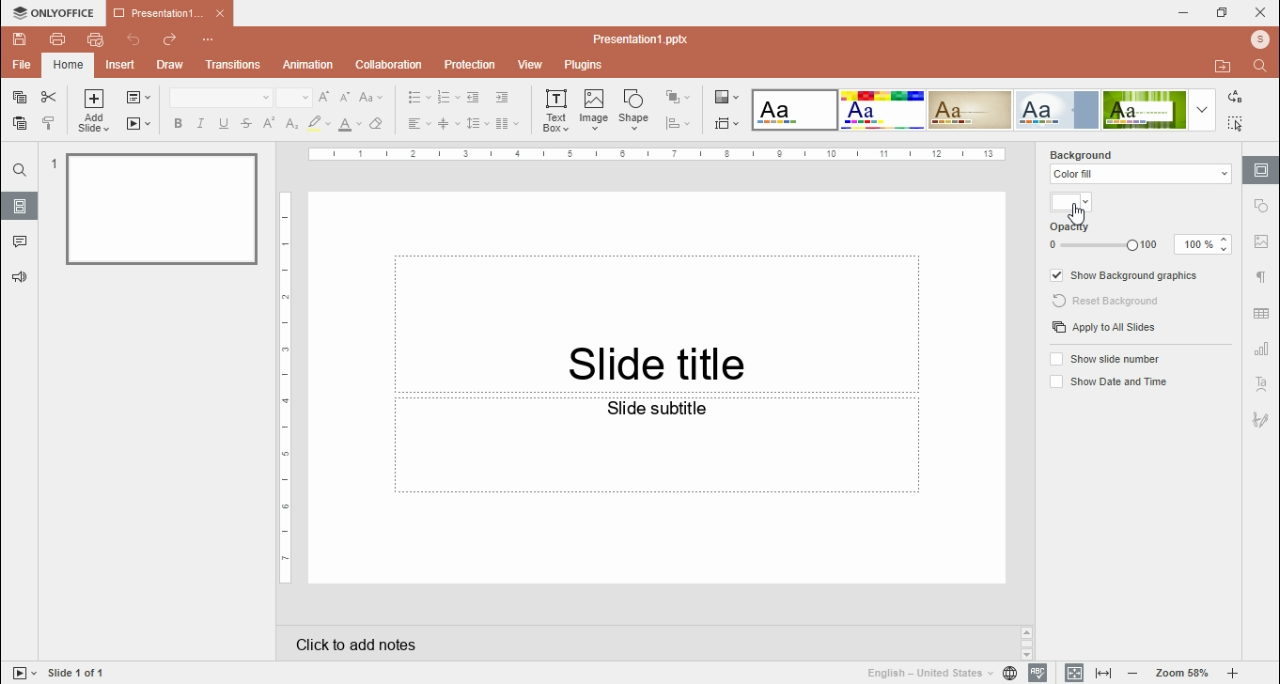 This screenshot has height=684, width=1280. I want to click on animation, so click(305, 65).